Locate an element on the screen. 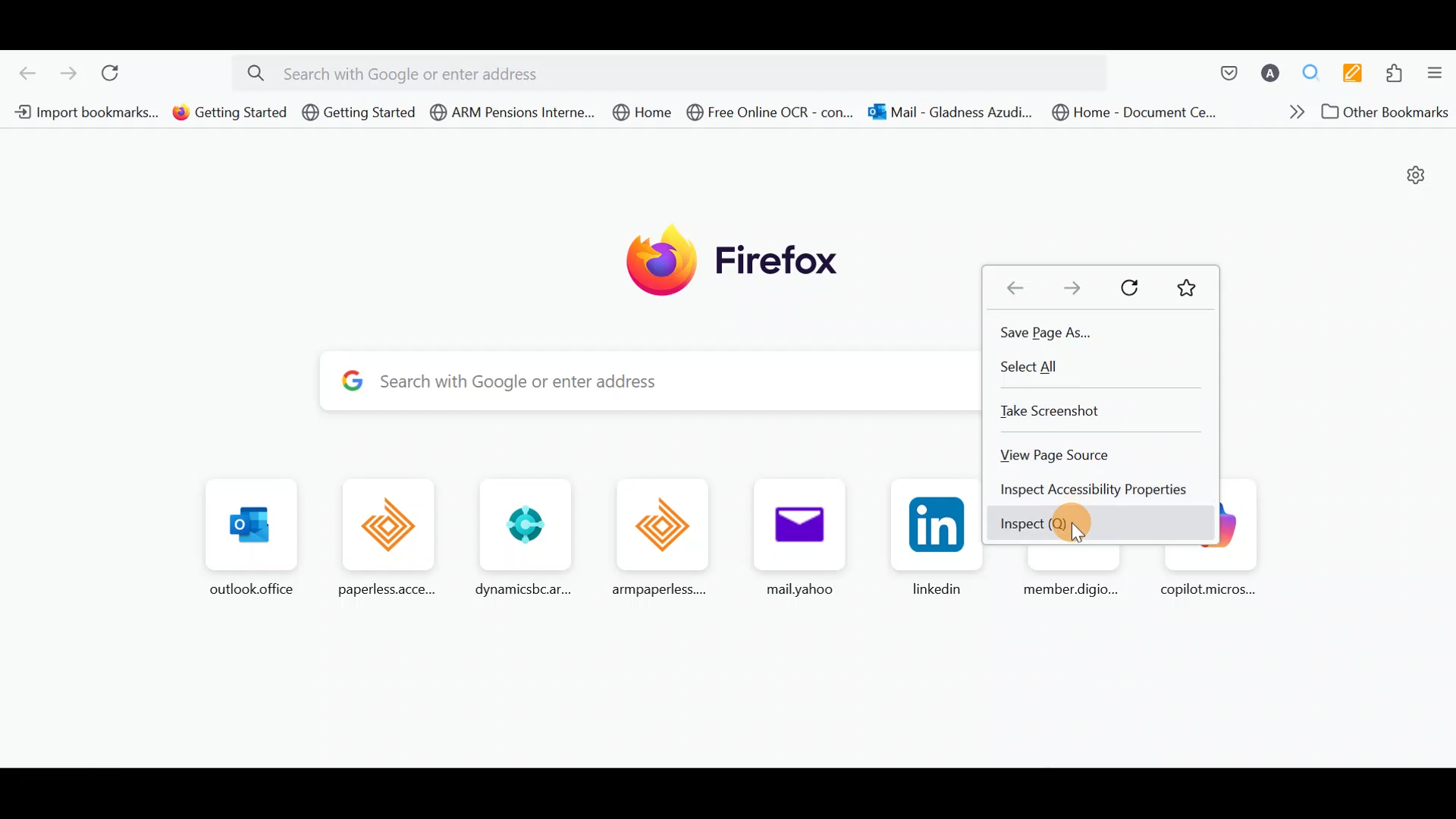 The width and height of the screenshot is (1456, 819). Bookmark 7 is located at coordinates (952, 111).